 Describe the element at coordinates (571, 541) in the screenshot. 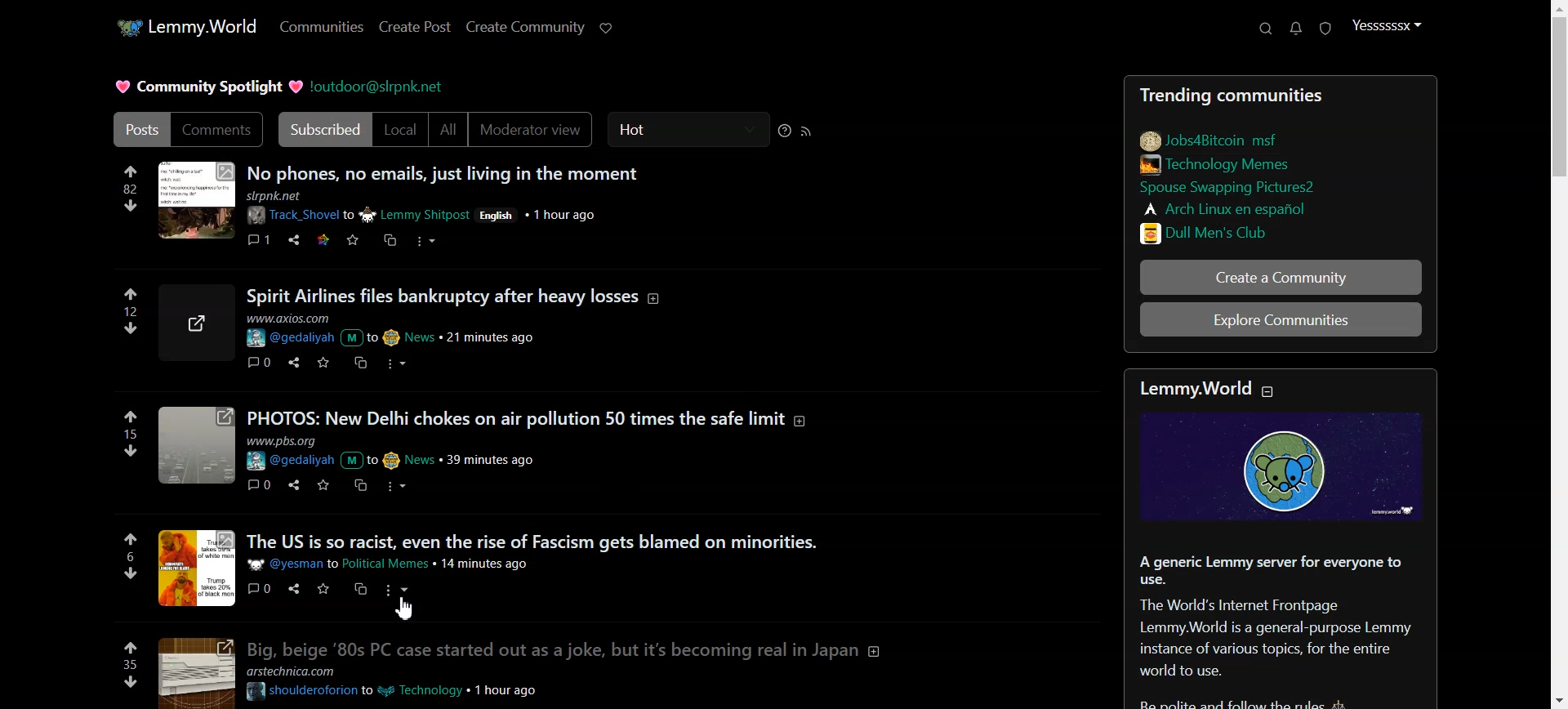

I see `post` at that location.